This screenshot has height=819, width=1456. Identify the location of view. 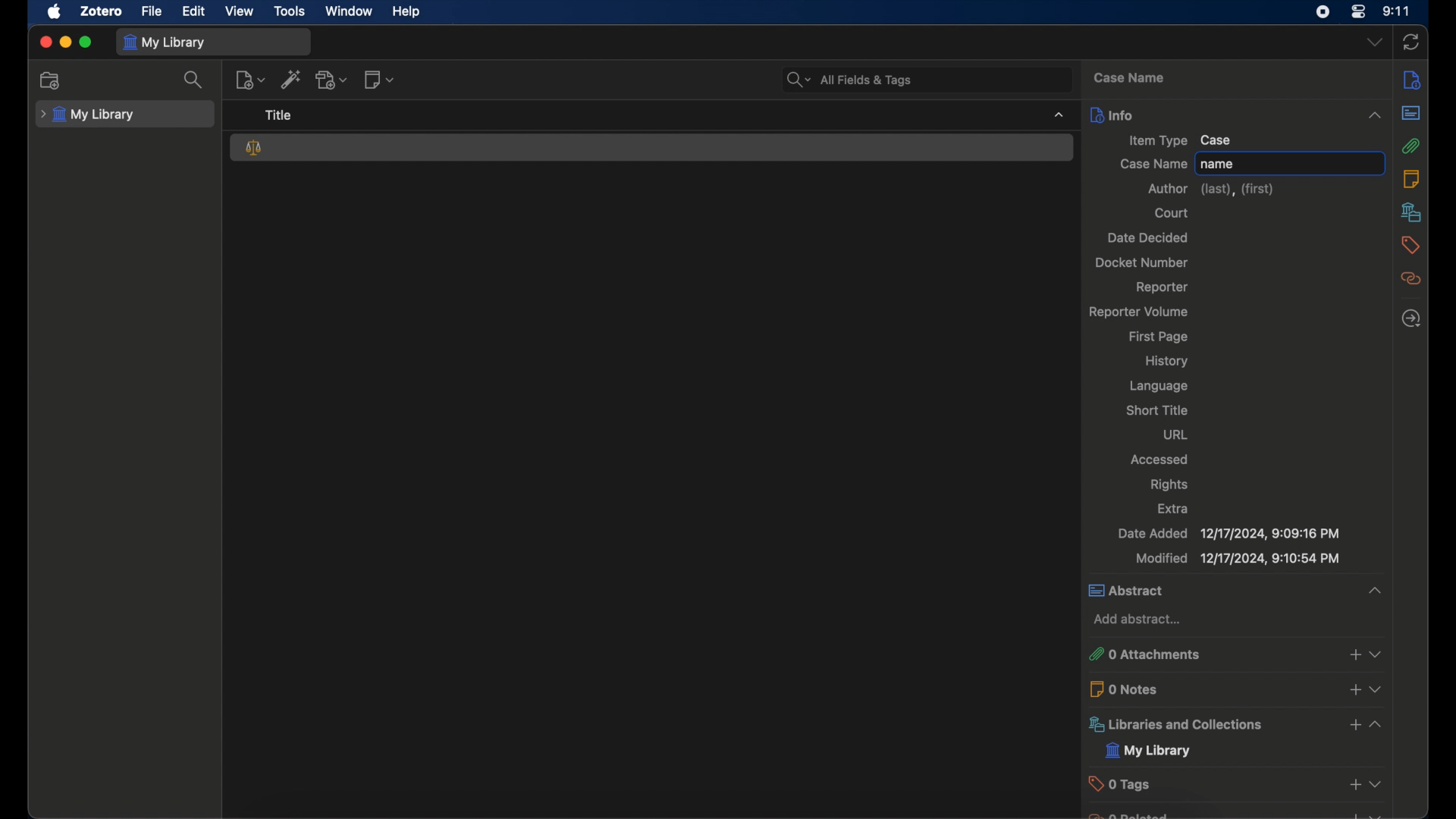
(240, 11).